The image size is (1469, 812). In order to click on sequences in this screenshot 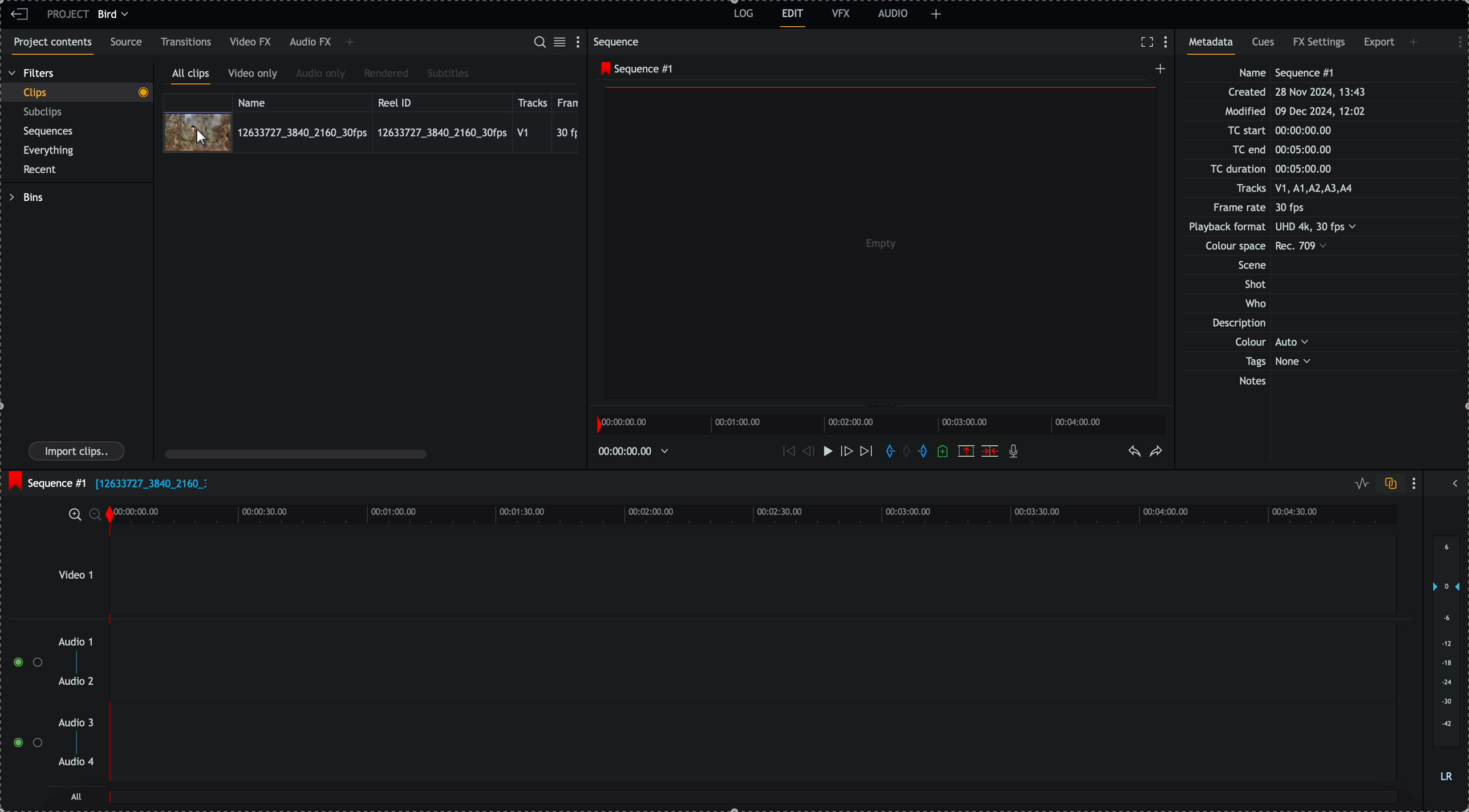, I will do `click(48, 133)`.